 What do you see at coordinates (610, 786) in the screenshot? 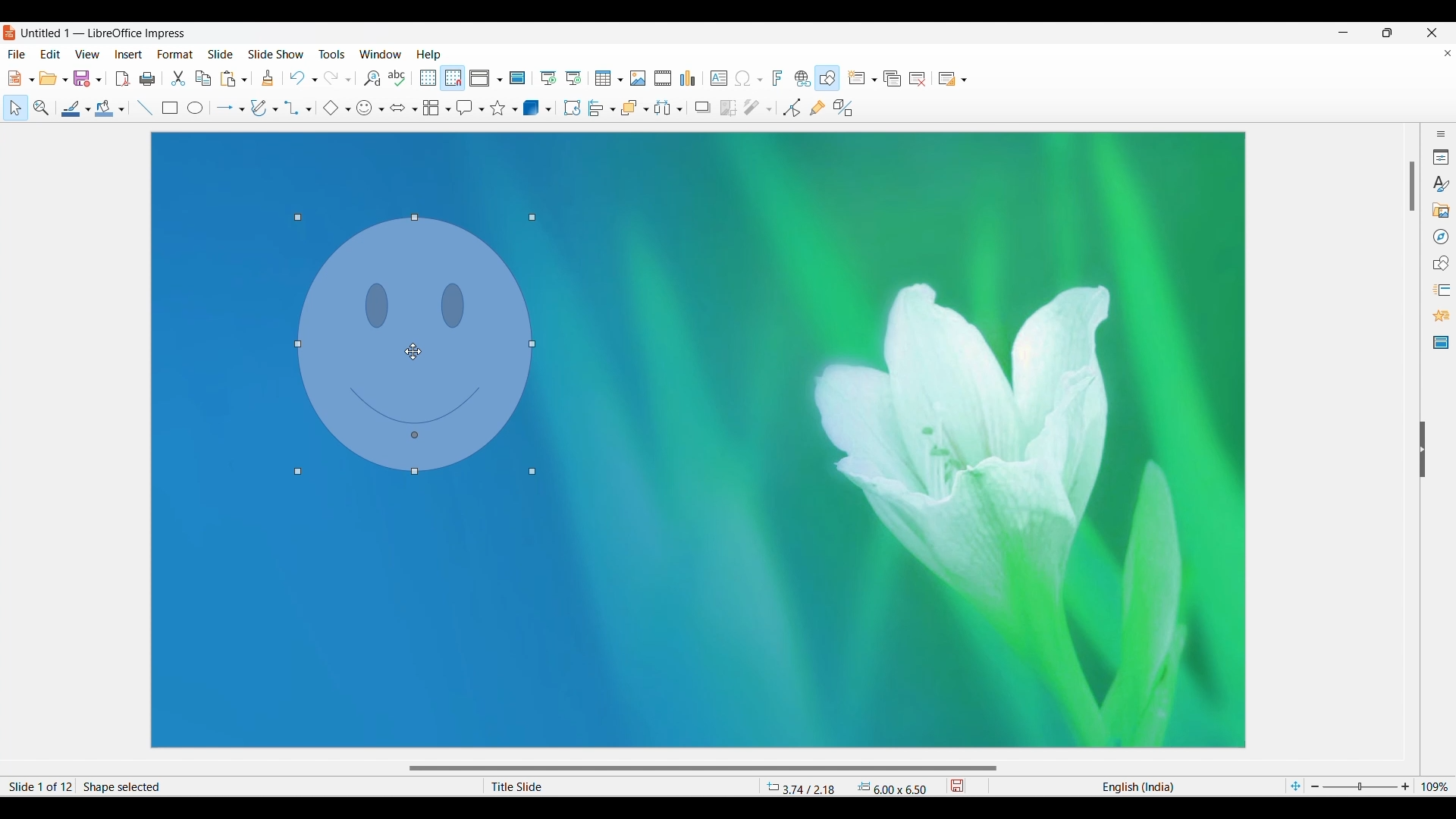
I see `Title Slide` at bounding box center [610, 786].